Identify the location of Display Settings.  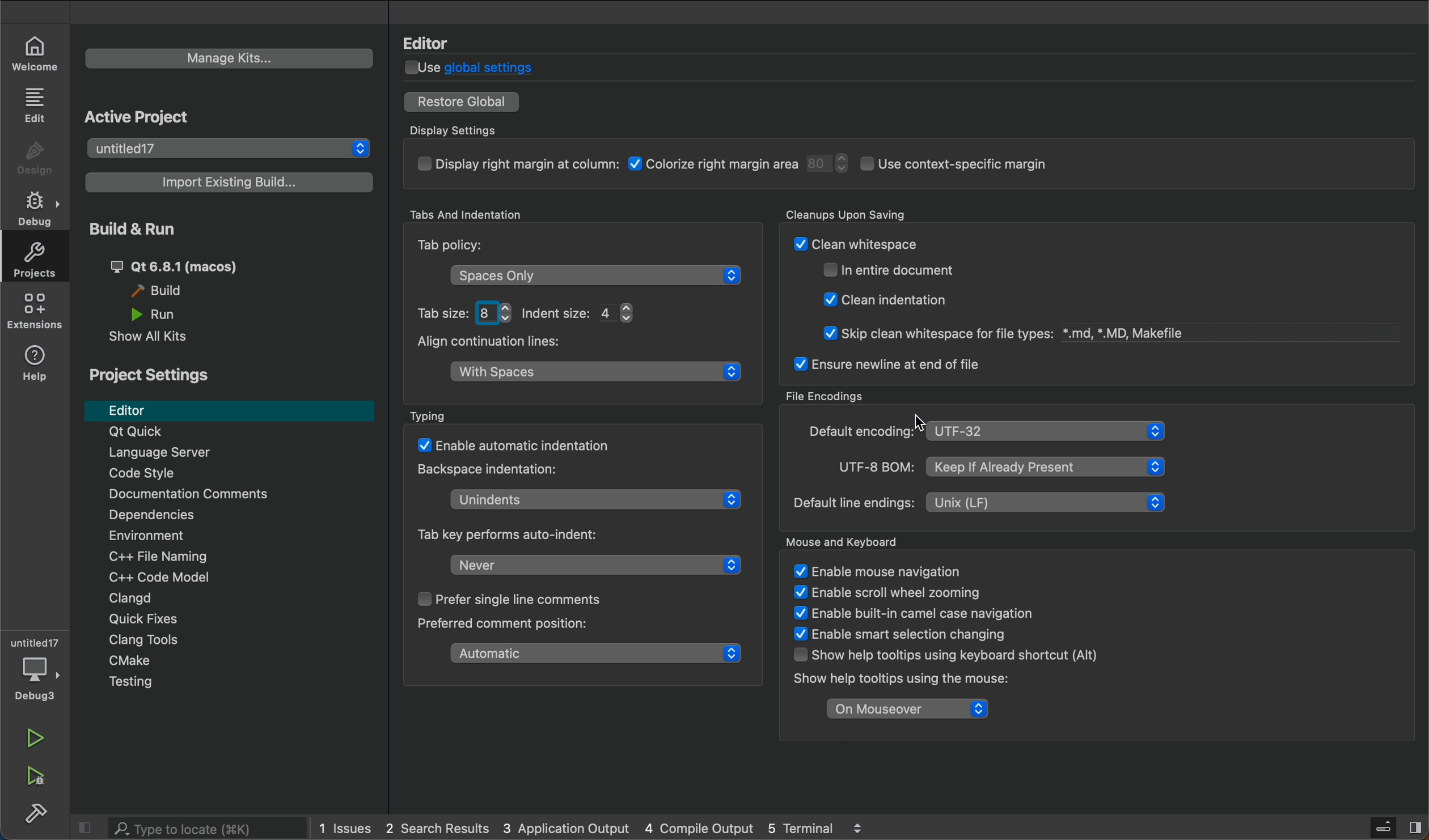
(462, 131).